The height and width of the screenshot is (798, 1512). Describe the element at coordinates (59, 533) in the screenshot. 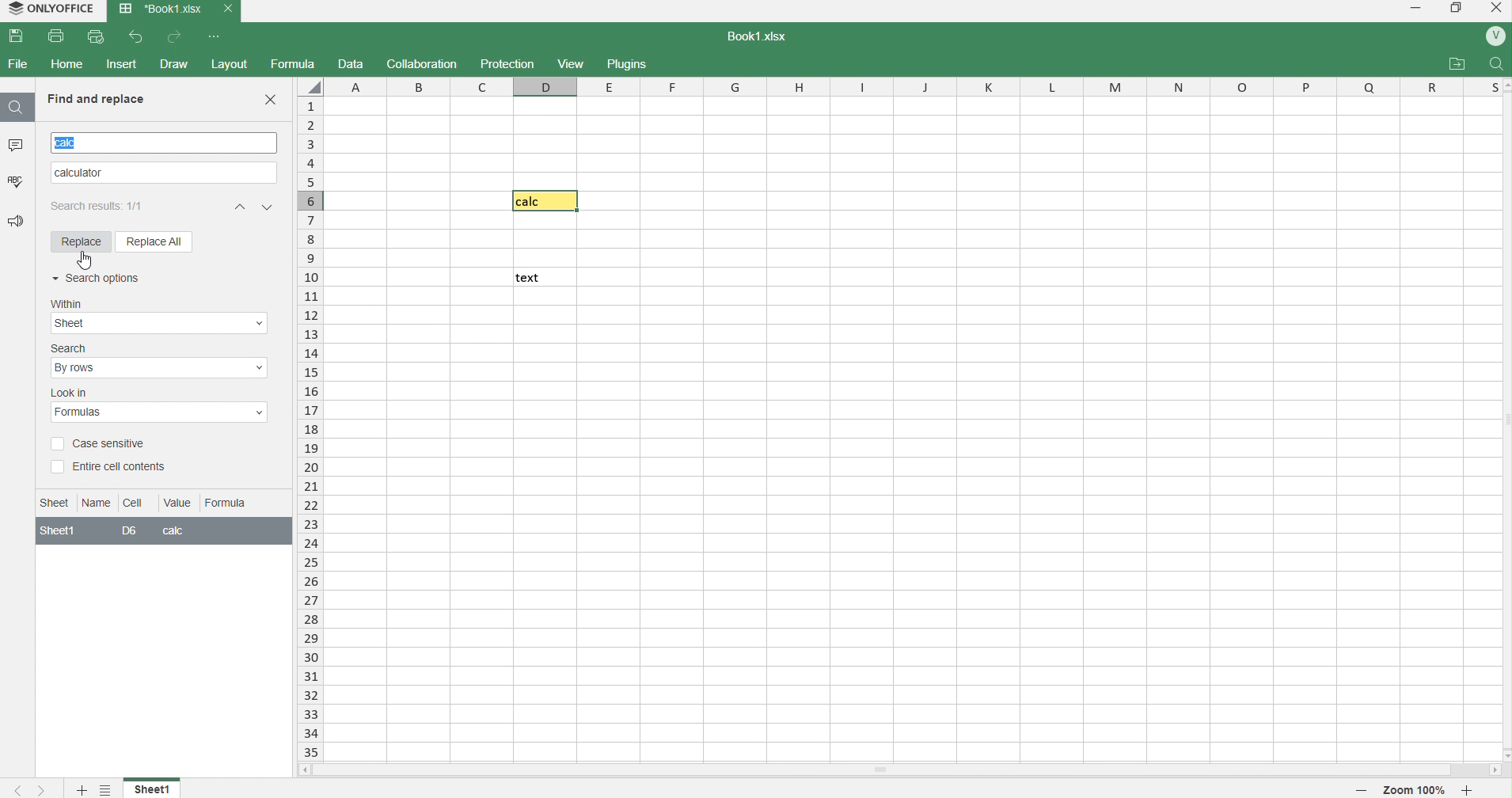

I see `sheet1` at that location.